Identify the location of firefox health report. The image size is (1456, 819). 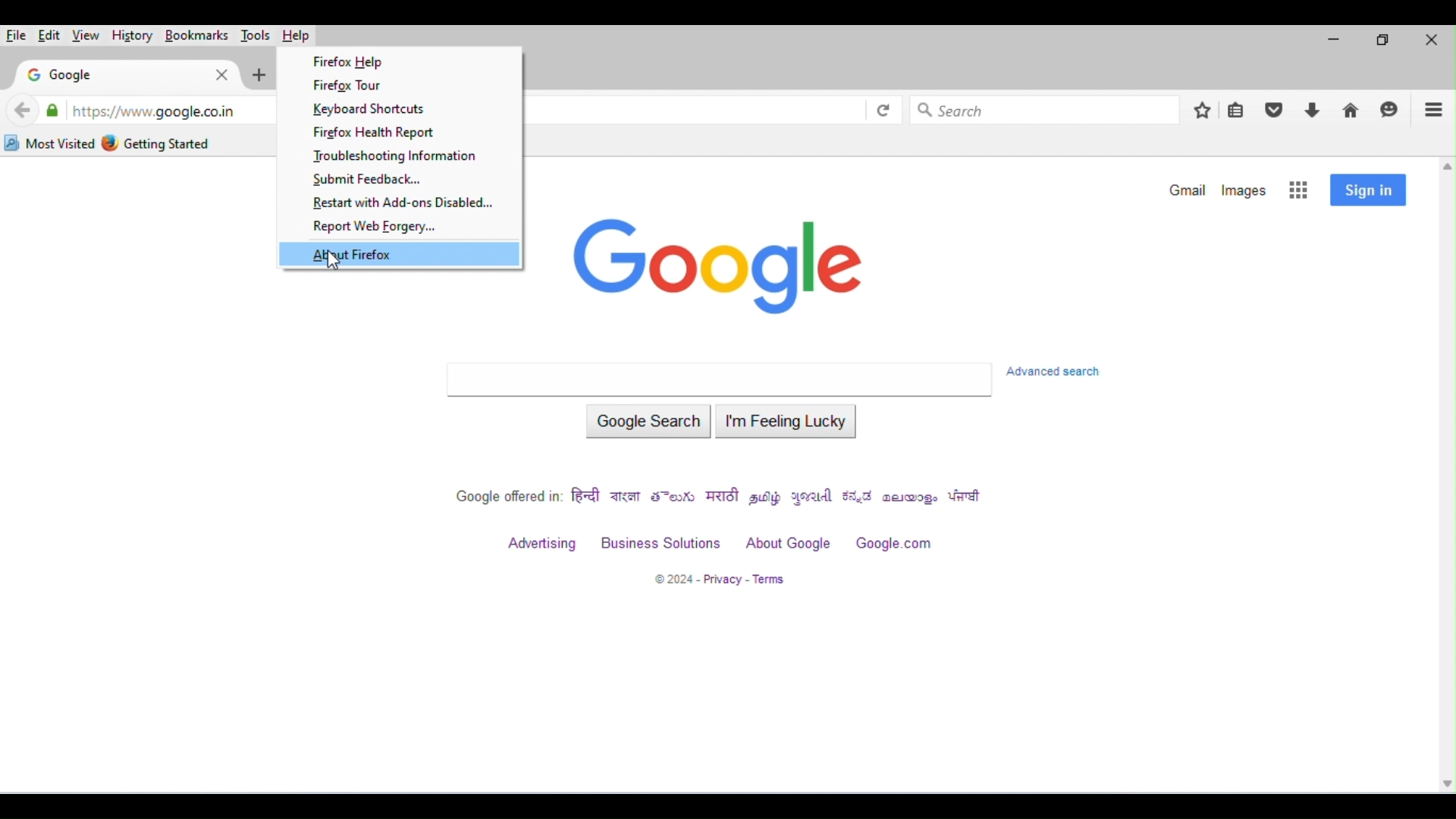
(376, 133).